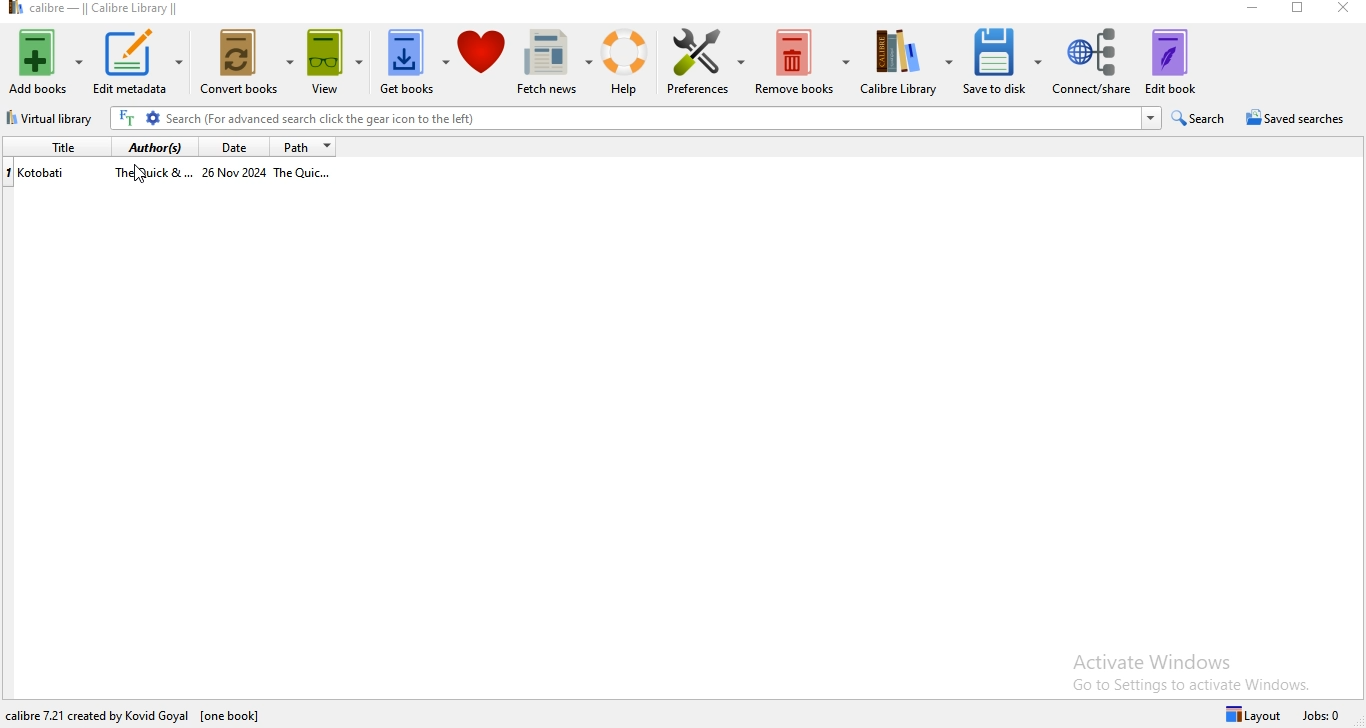 This screenshot has height=728, width=1366. Describe the element at coordinates (413, 62) in the screenshot. I see `get books` at that location.